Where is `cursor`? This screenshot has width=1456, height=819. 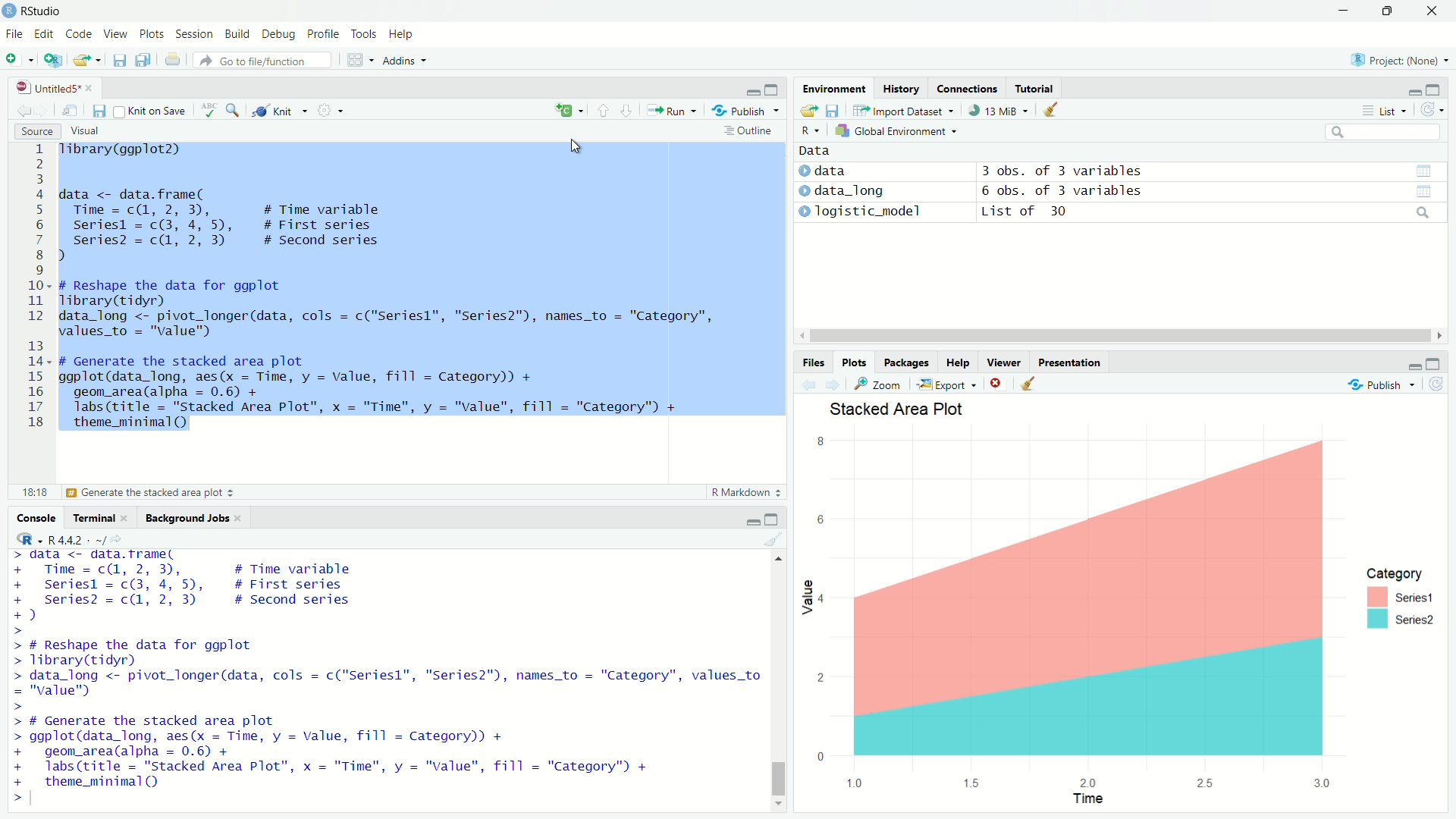
cursor is located at coordinates (668, 124).